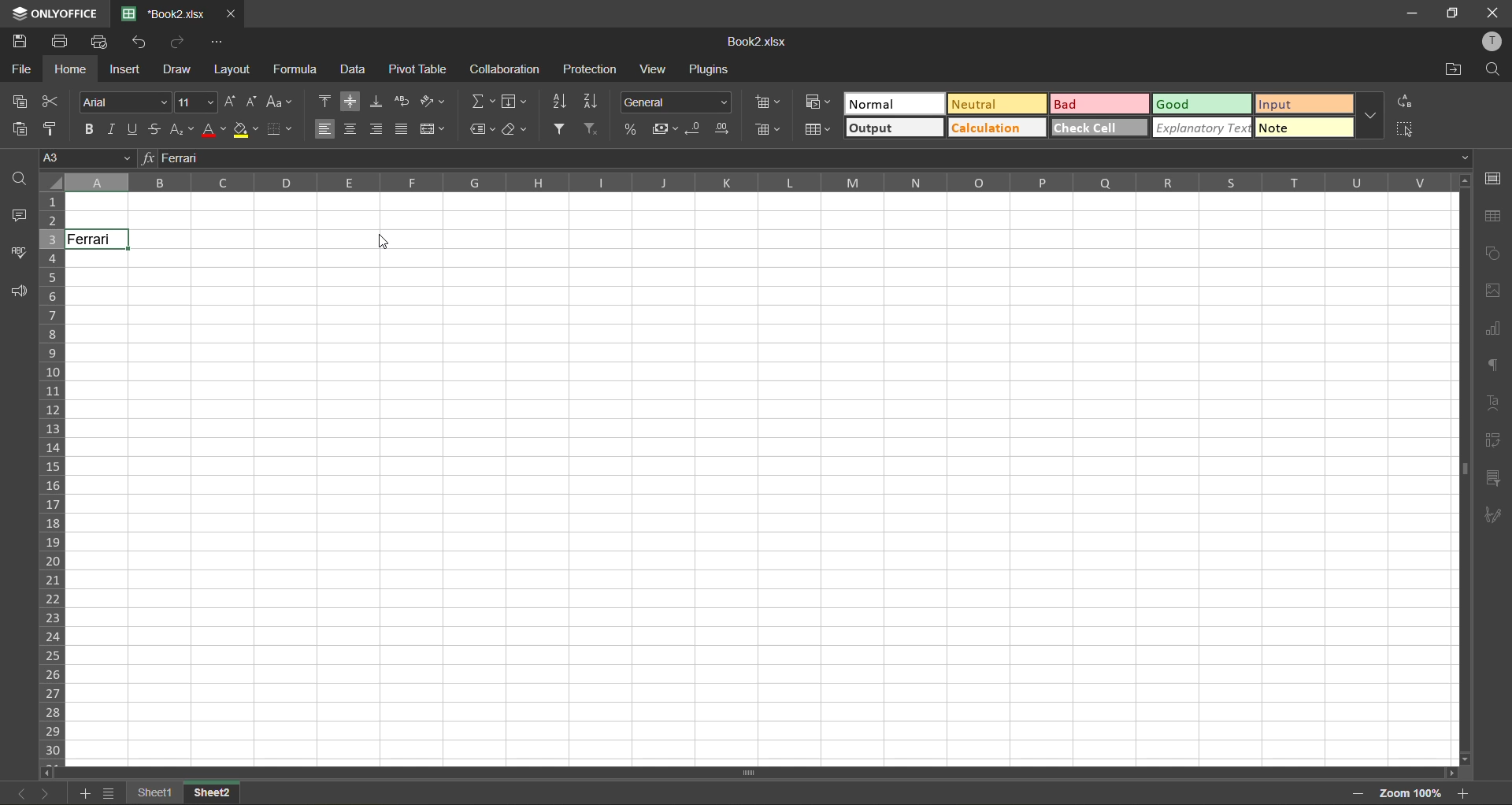 Image resolution: width=1512 pixels, height=805 pixels. I want to click on paragraph, so click(1493, 365).